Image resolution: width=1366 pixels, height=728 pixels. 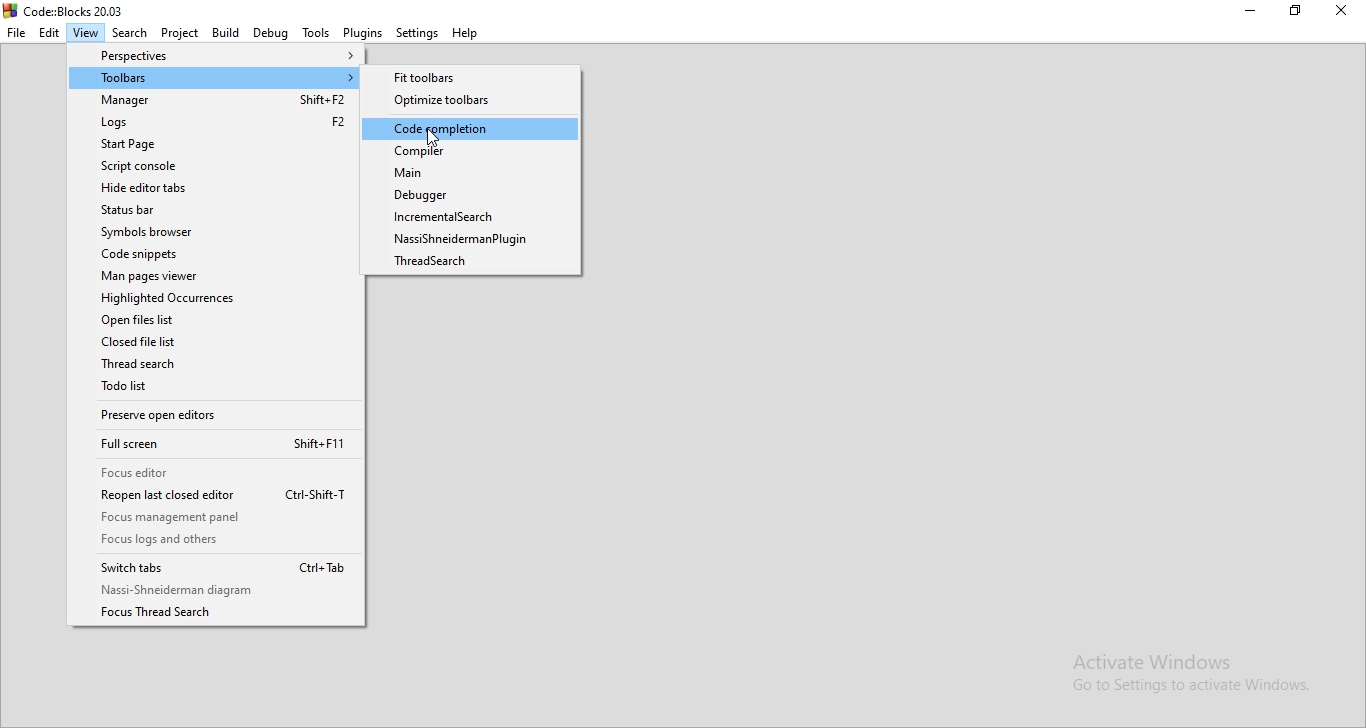 What do you see at coordinates (214, 519) in the screenshot?
I see `Focus management panel` at bounding box center [214, 519].